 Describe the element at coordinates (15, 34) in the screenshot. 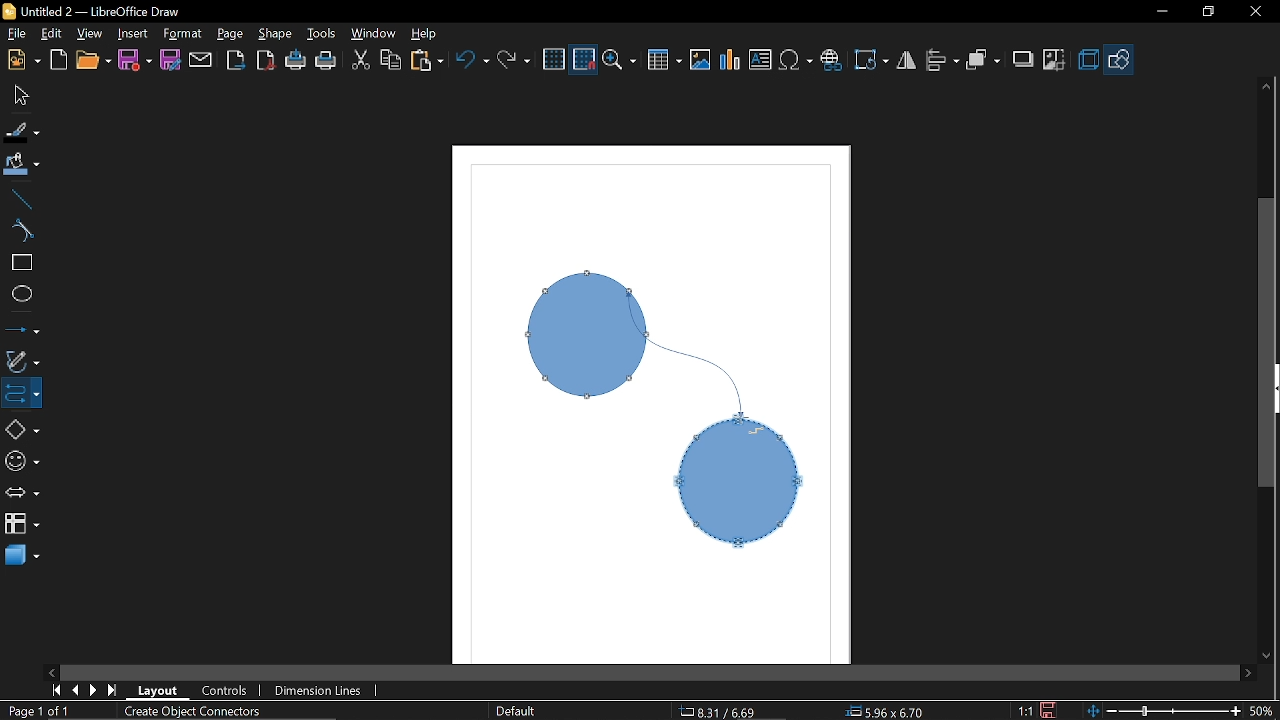

I see `file ` at that location.